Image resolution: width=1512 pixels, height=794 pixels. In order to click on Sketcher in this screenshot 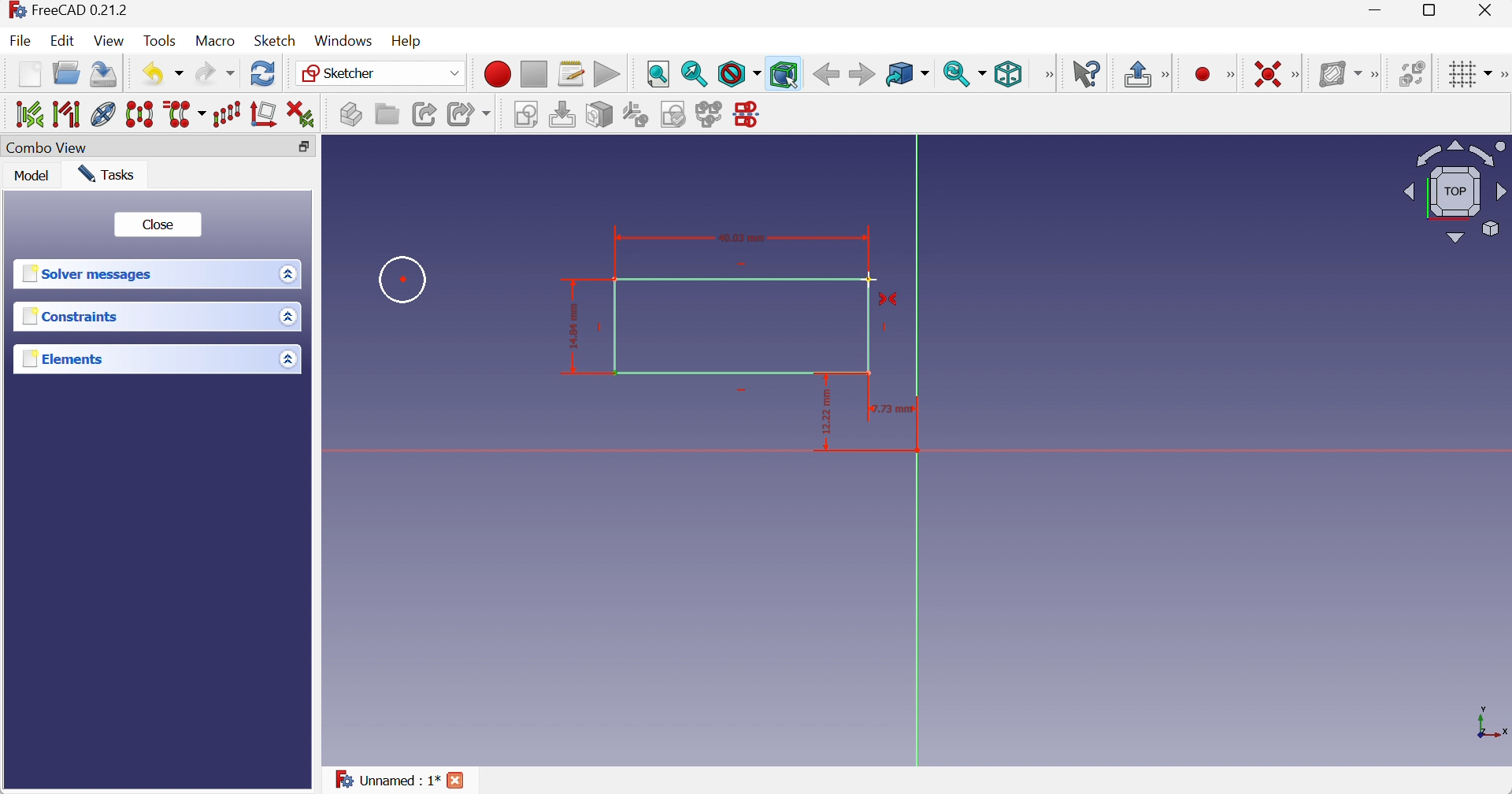, I will do `click(384, 74)`.